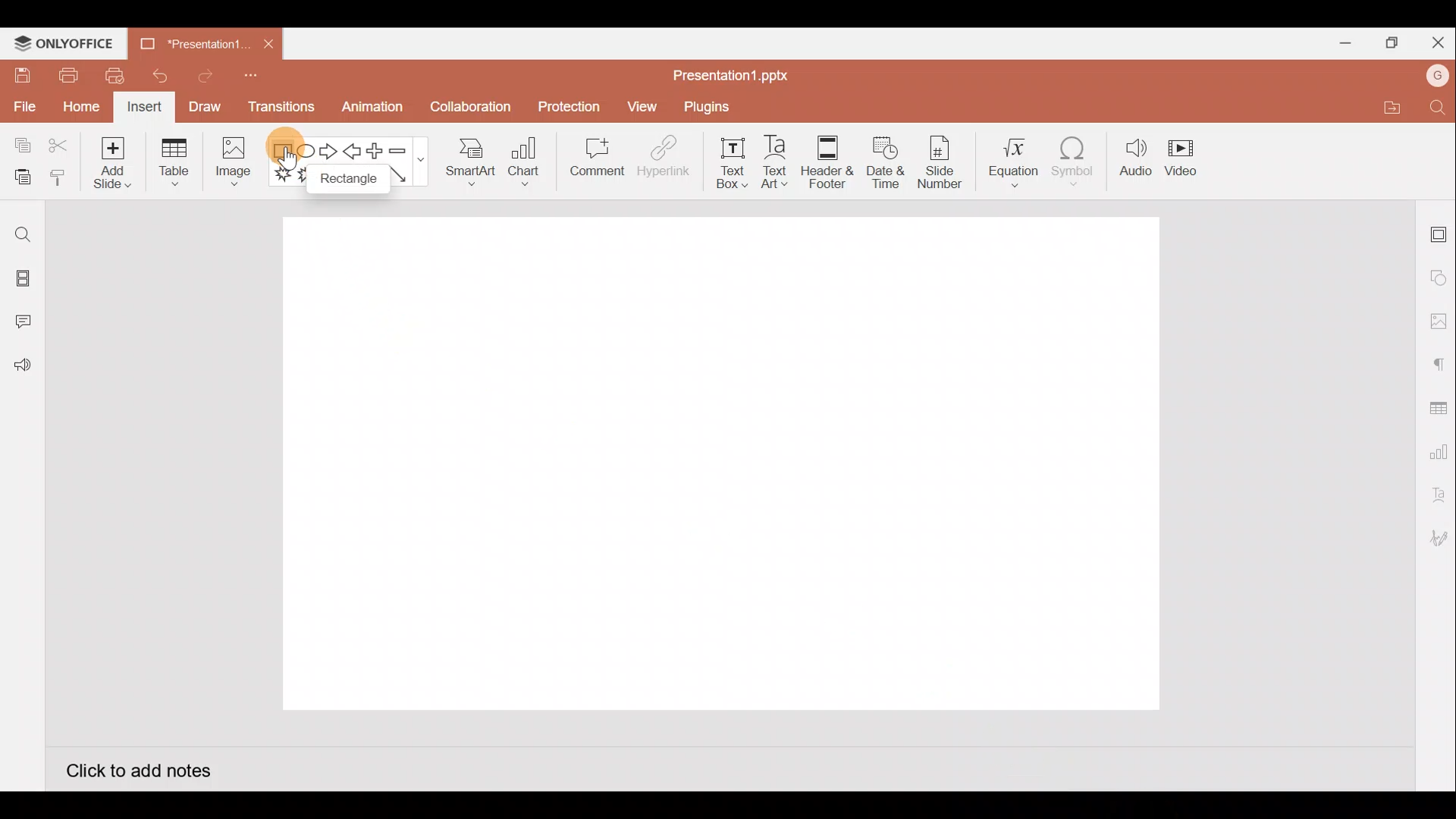 This screenshot has height=819, width=1456. I want to click on Slide settings, so click(1439, 231).